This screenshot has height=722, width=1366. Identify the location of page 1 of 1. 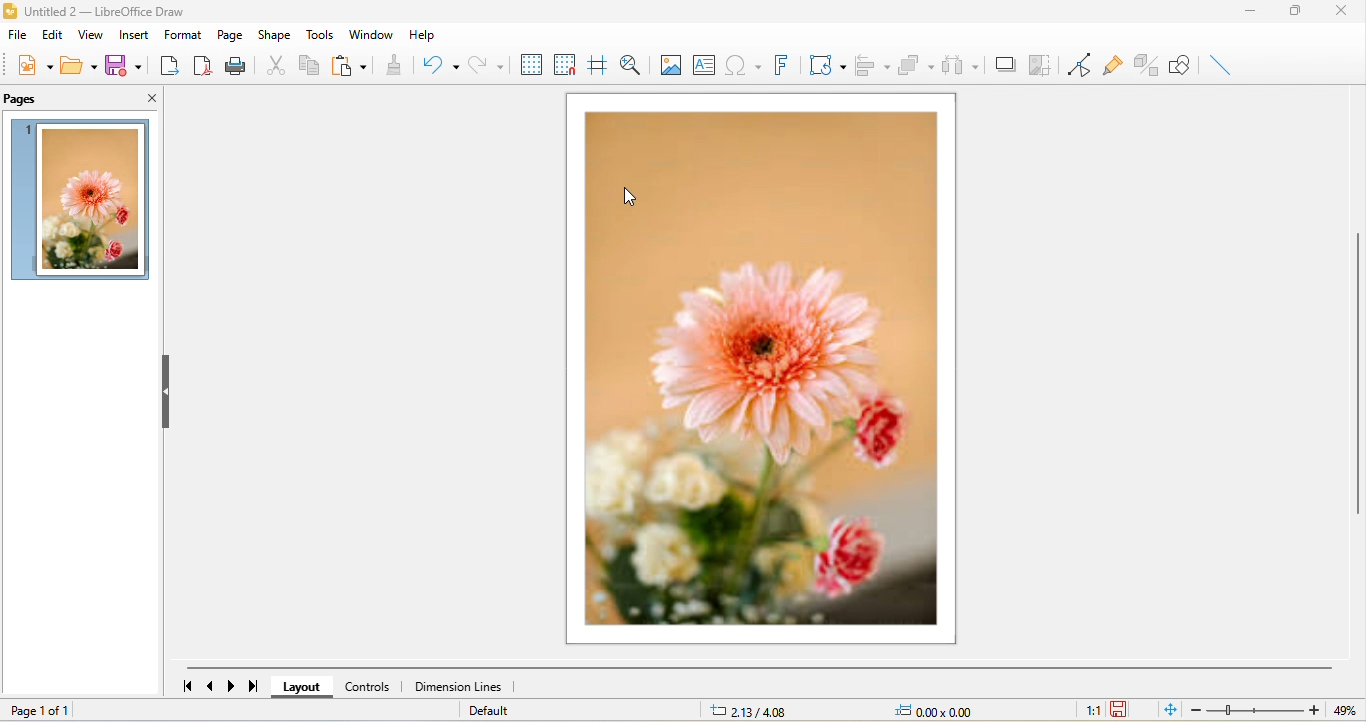
(79, 712).